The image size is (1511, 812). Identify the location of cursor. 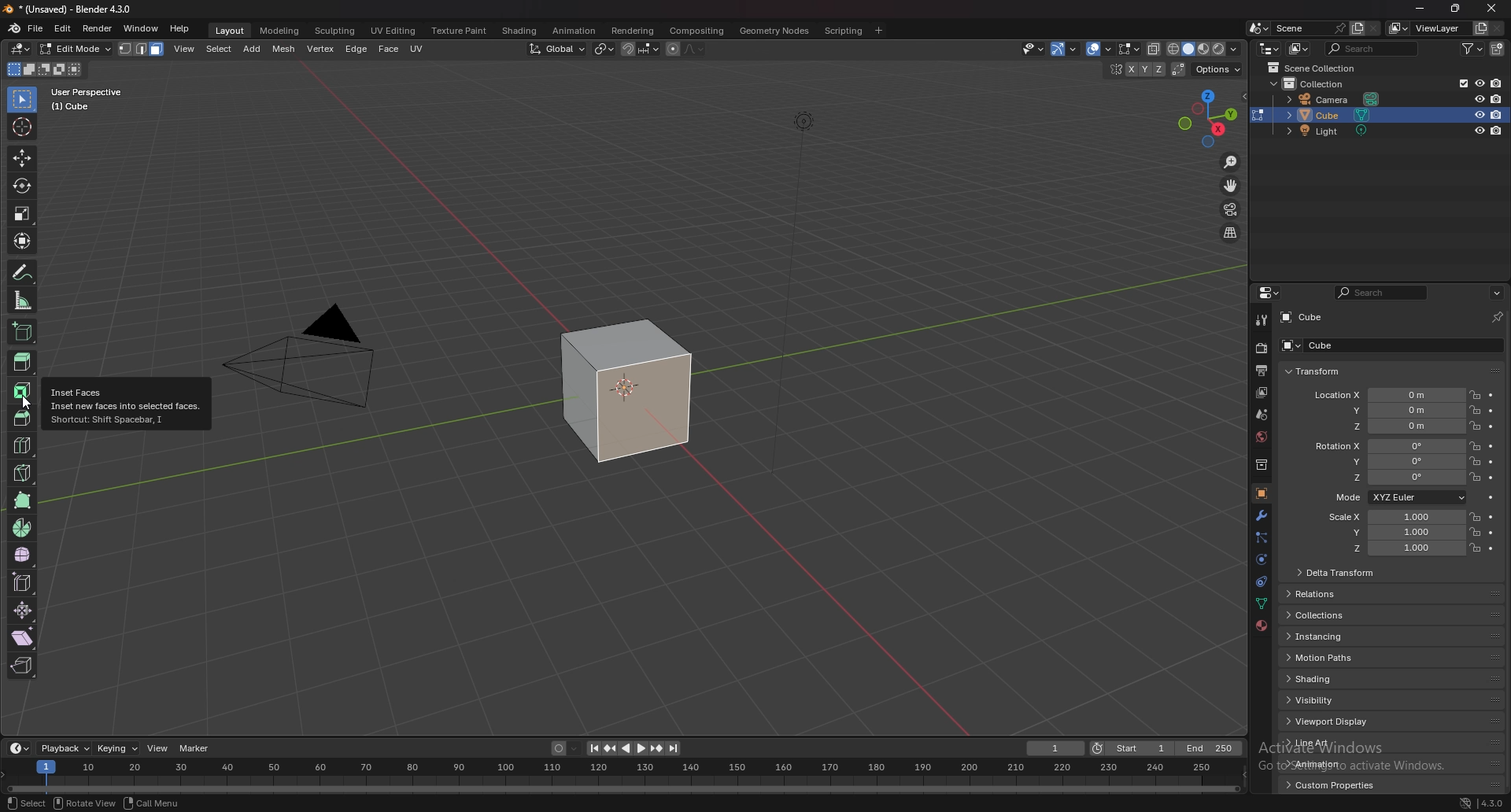
(28, 405).